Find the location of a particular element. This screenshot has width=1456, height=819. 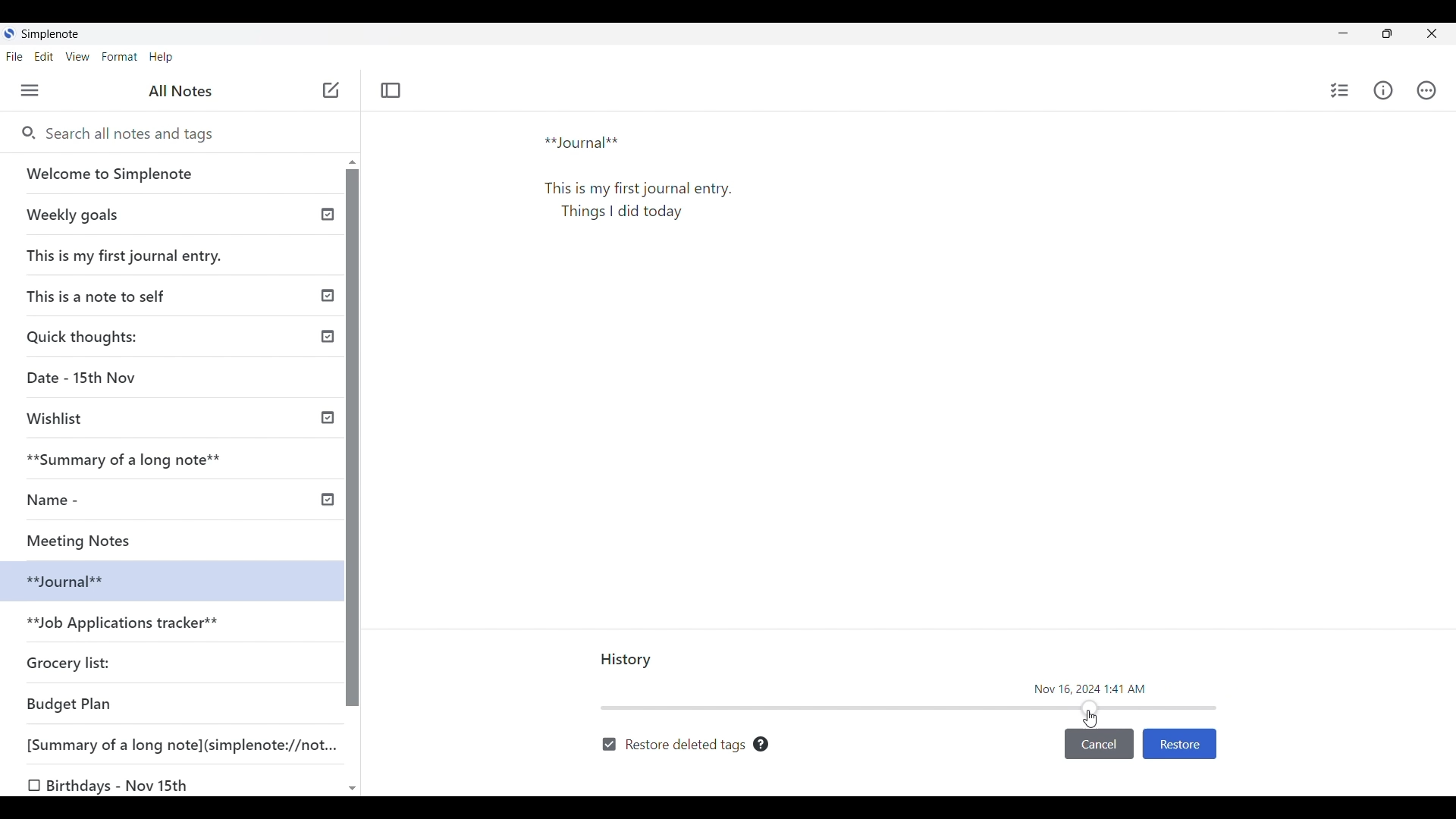

Wishlist is located at coordinates (61, 419).